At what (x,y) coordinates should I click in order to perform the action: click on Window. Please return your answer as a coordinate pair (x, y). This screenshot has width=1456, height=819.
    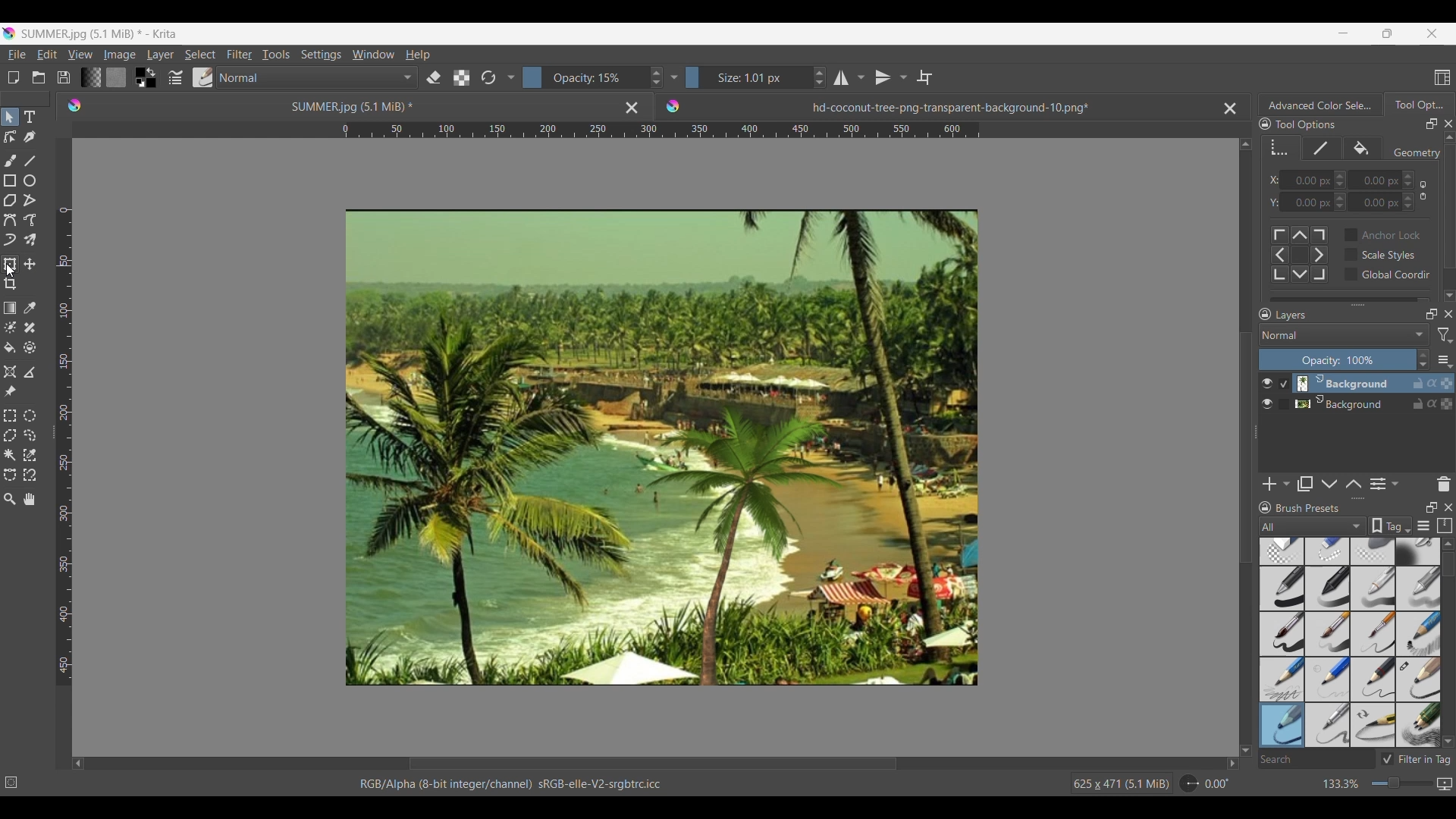
    Looking at the image, I should click on (372, 54).